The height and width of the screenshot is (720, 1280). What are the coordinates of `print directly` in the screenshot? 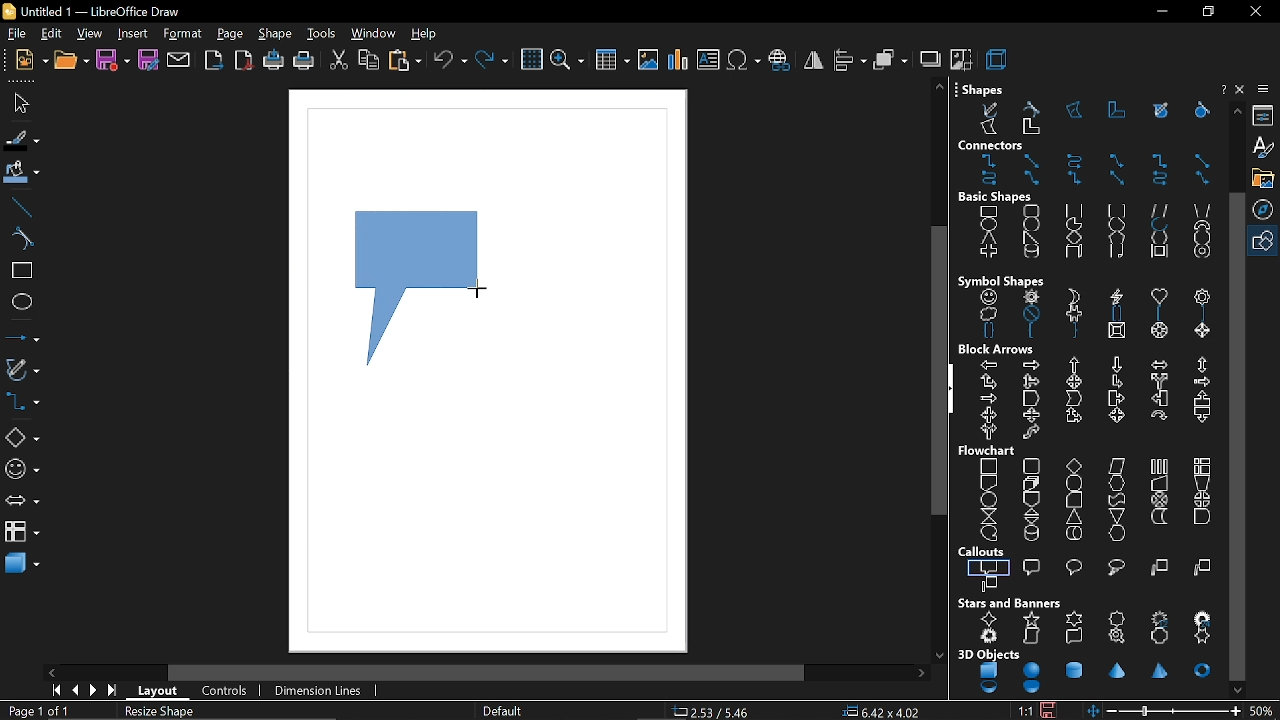 It's located at (274, 62).